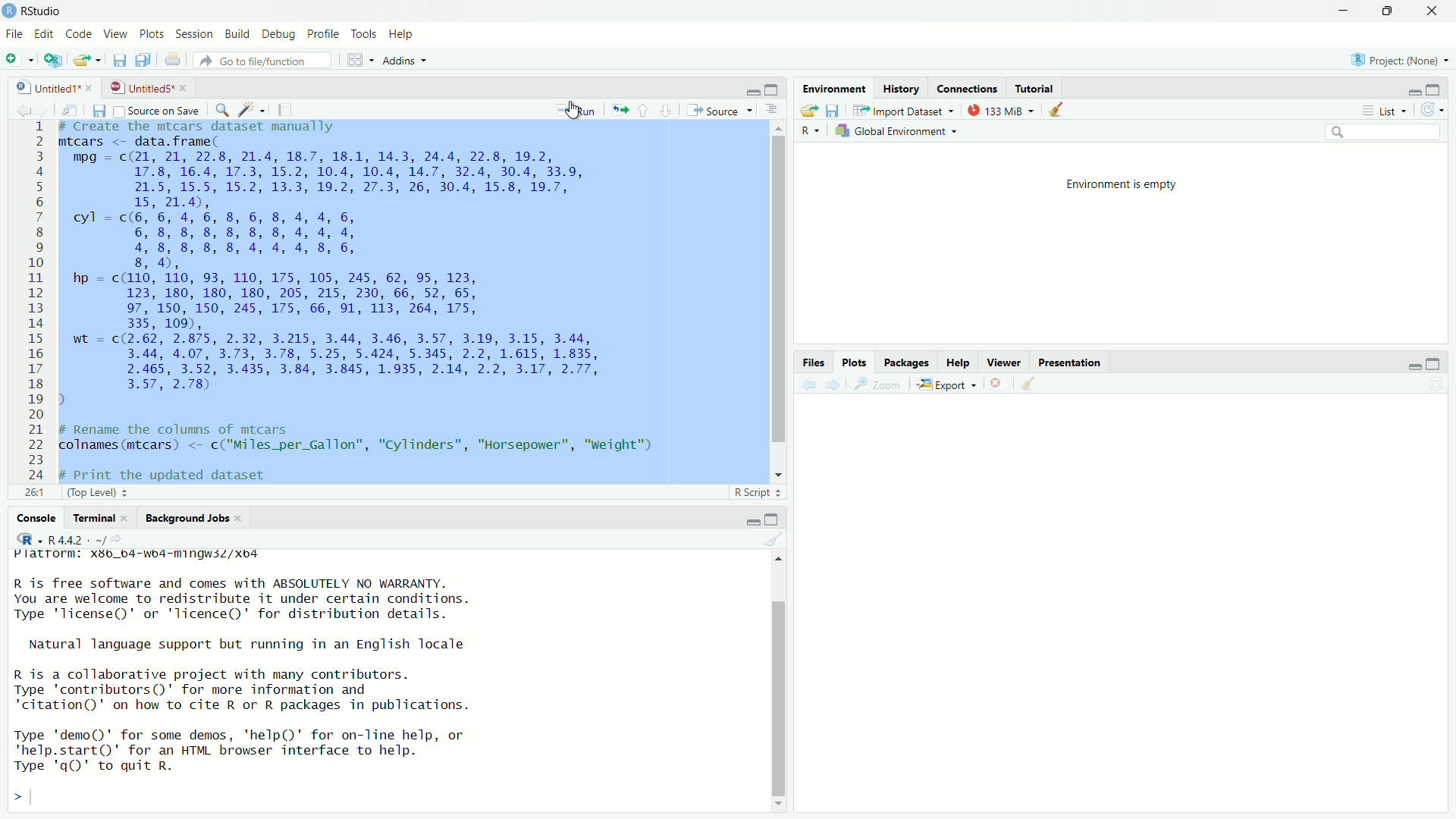 This screenshot has width=1456, height=819. I want to click on search, so click(219, 108).